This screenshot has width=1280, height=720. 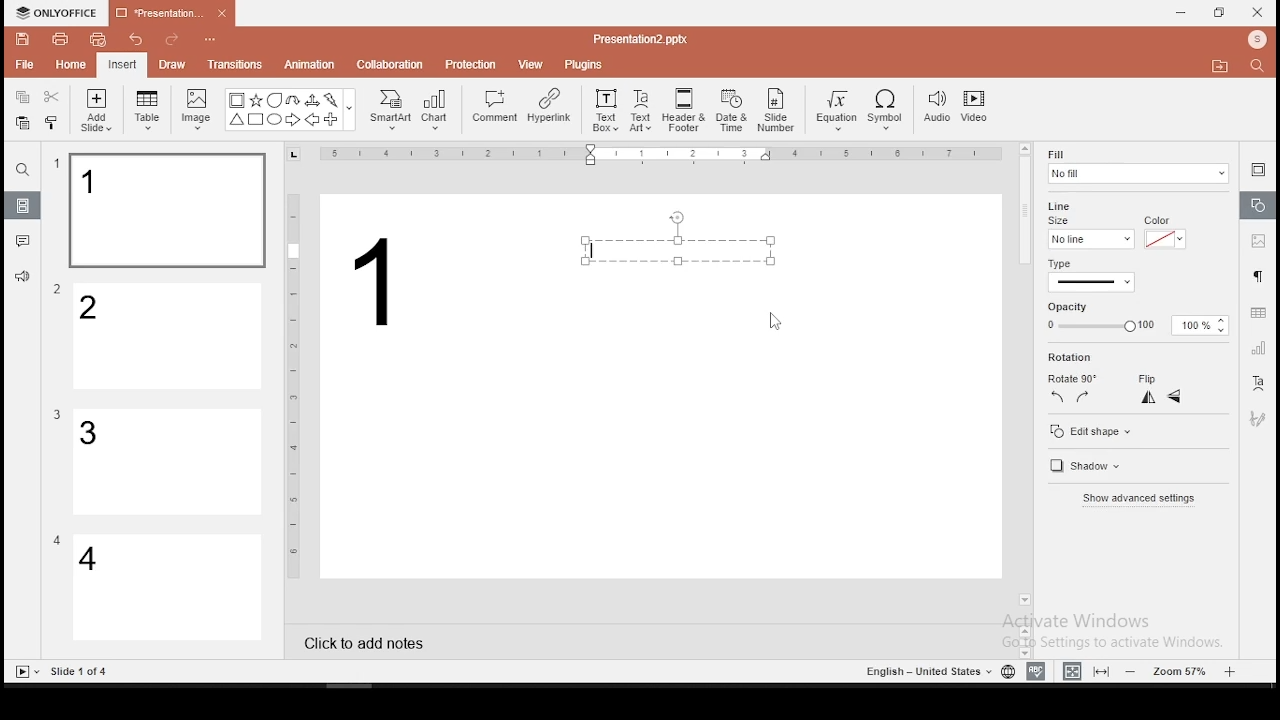 I want to click on , so click(x=640, y=38).